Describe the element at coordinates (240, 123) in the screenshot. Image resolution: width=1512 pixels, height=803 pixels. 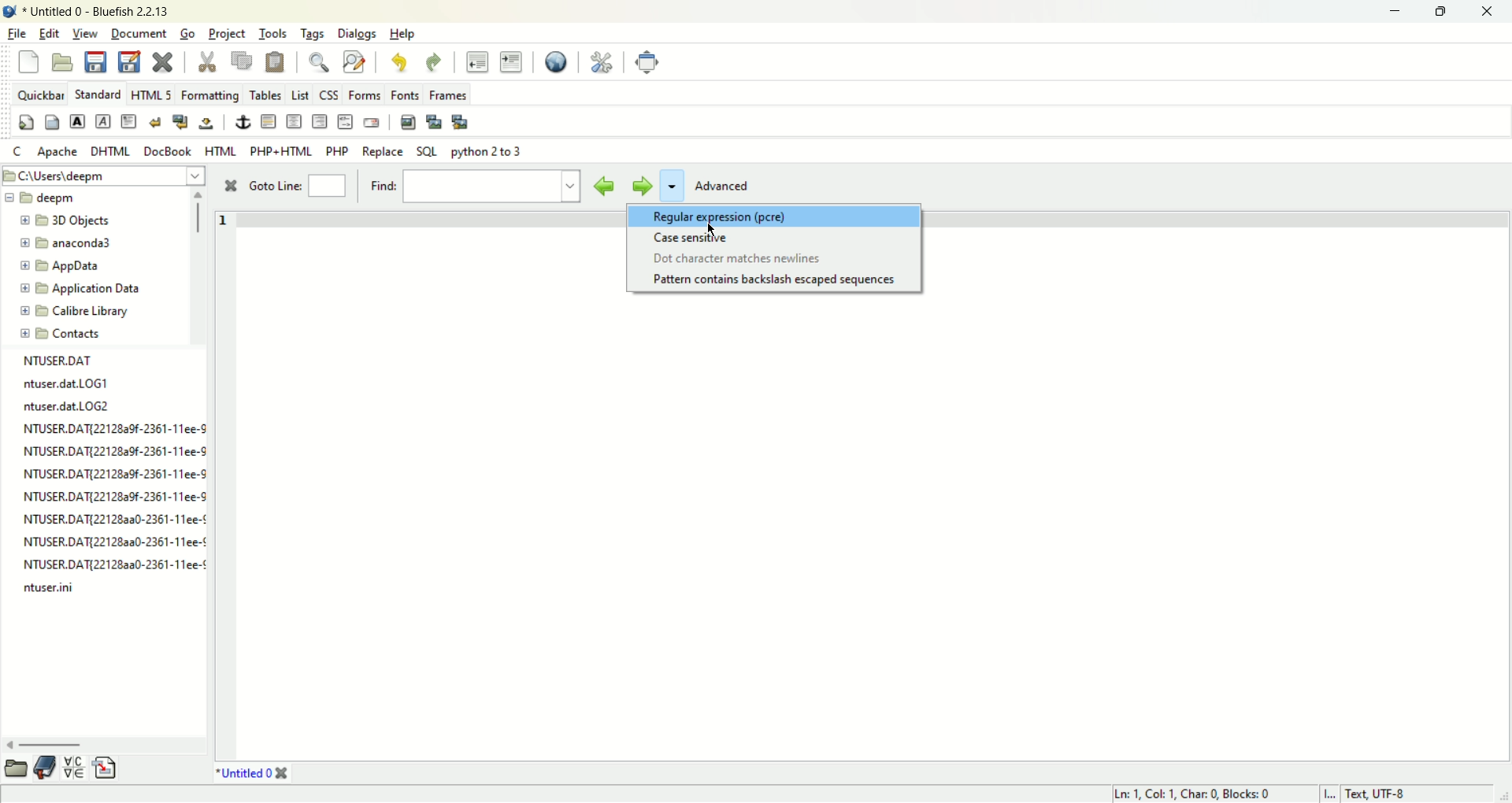
I see `anchor` at that location.